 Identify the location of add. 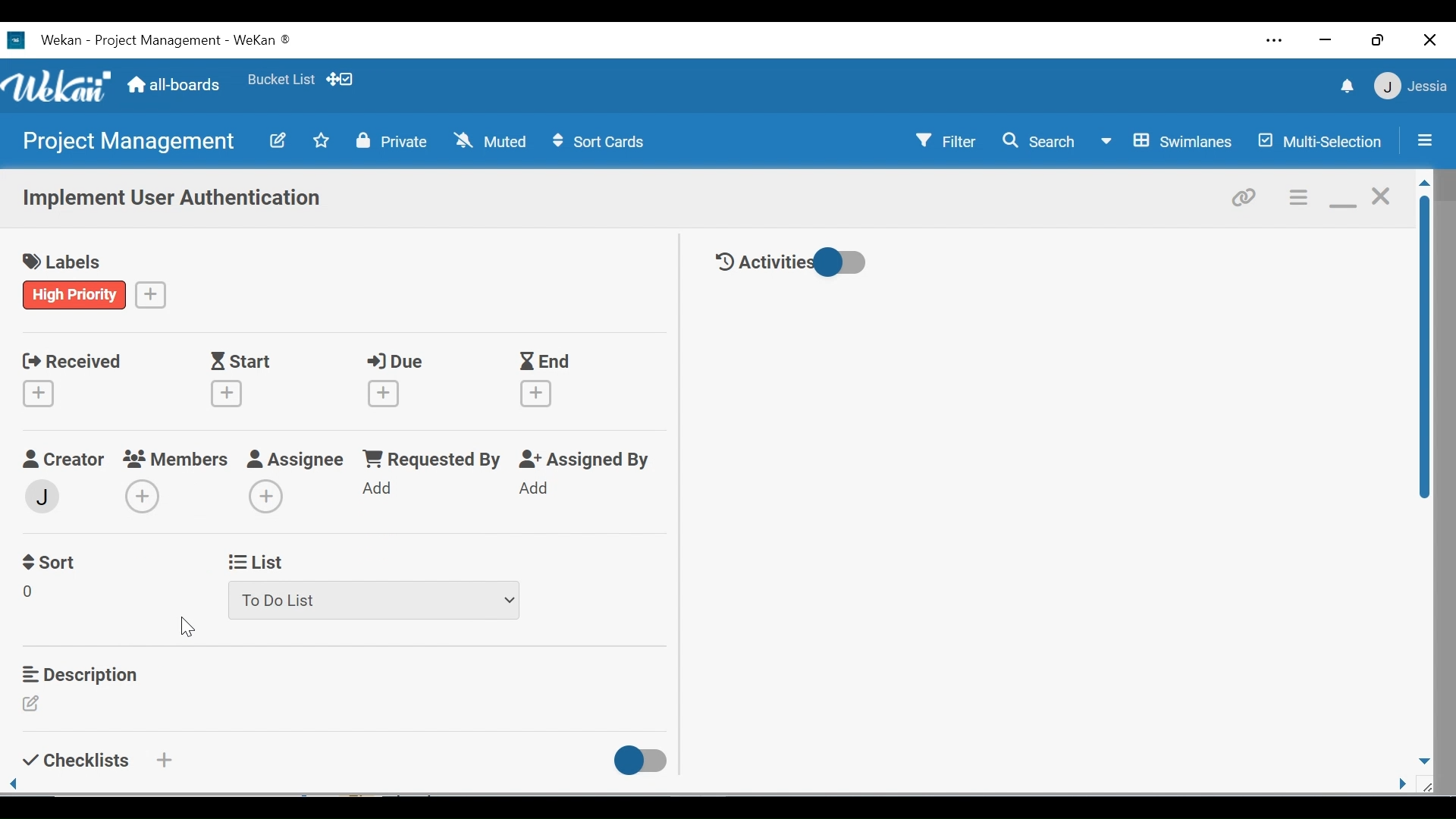
(268, 495).